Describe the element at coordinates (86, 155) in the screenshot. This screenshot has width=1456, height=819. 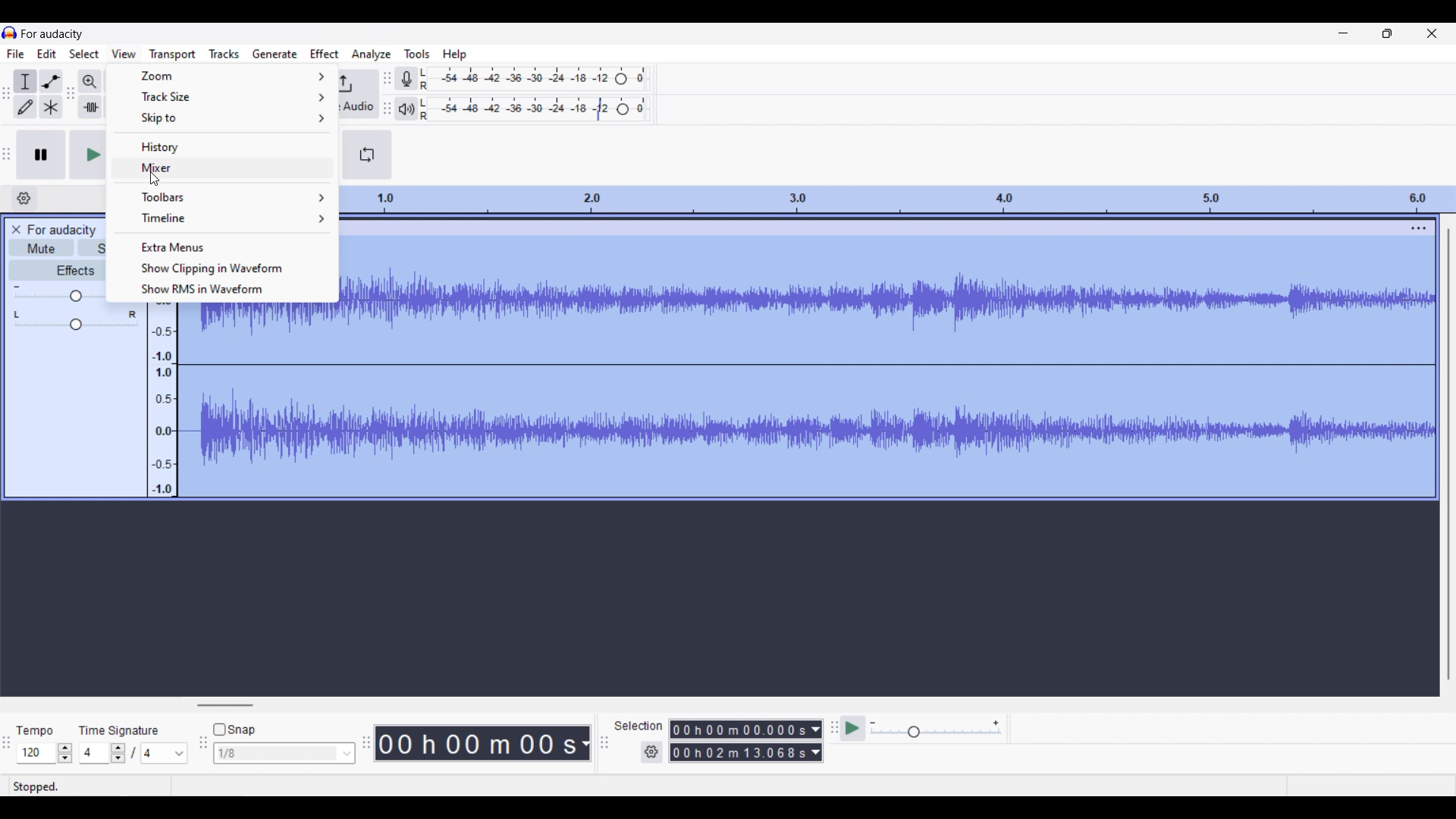
I see `Play/Play once` at that location.